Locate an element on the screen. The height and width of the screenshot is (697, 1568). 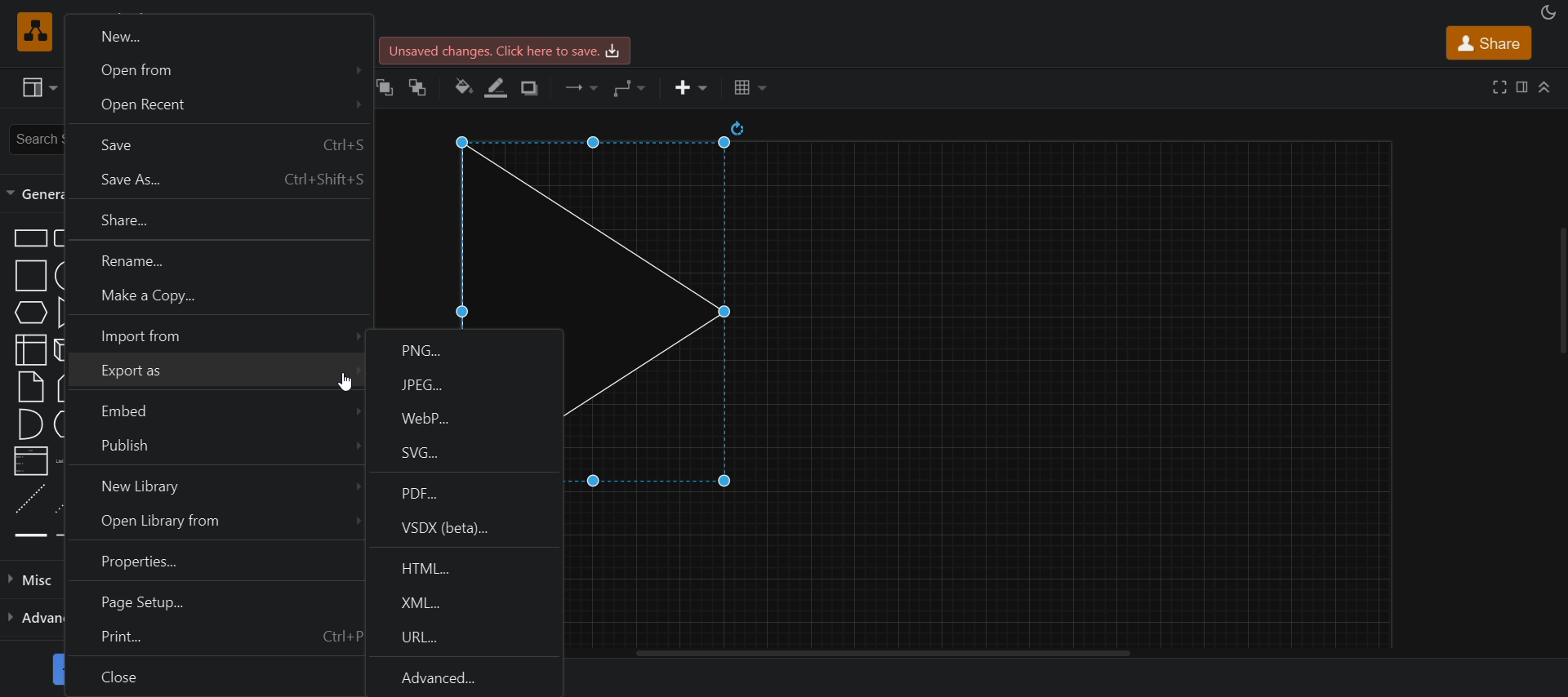
vsdx is located at coordinates (468, 529).